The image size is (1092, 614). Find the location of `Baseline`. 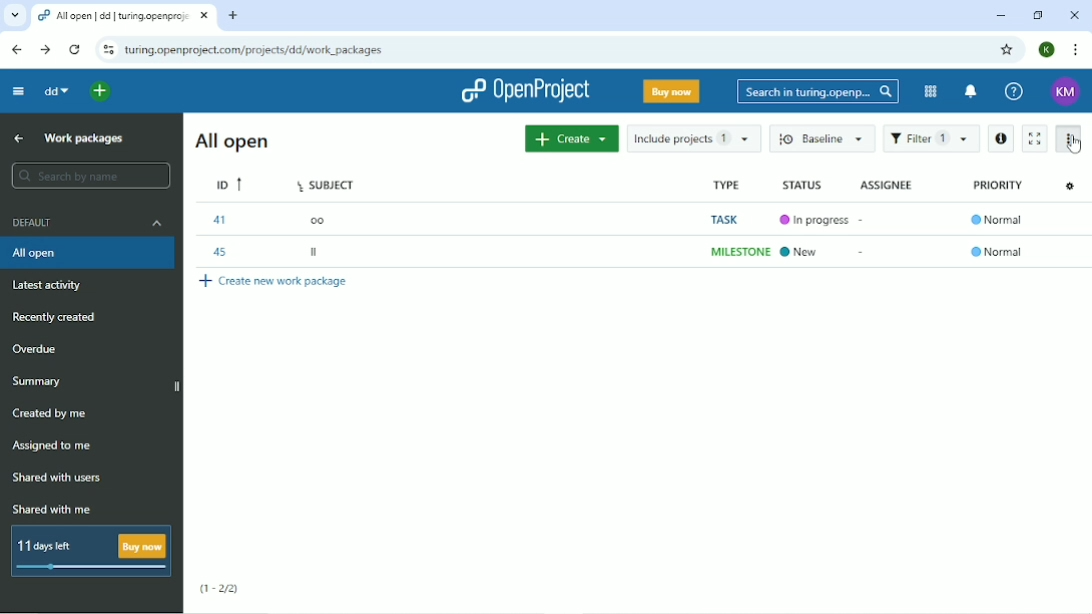

Baseline is located at coordinates (820, 137).